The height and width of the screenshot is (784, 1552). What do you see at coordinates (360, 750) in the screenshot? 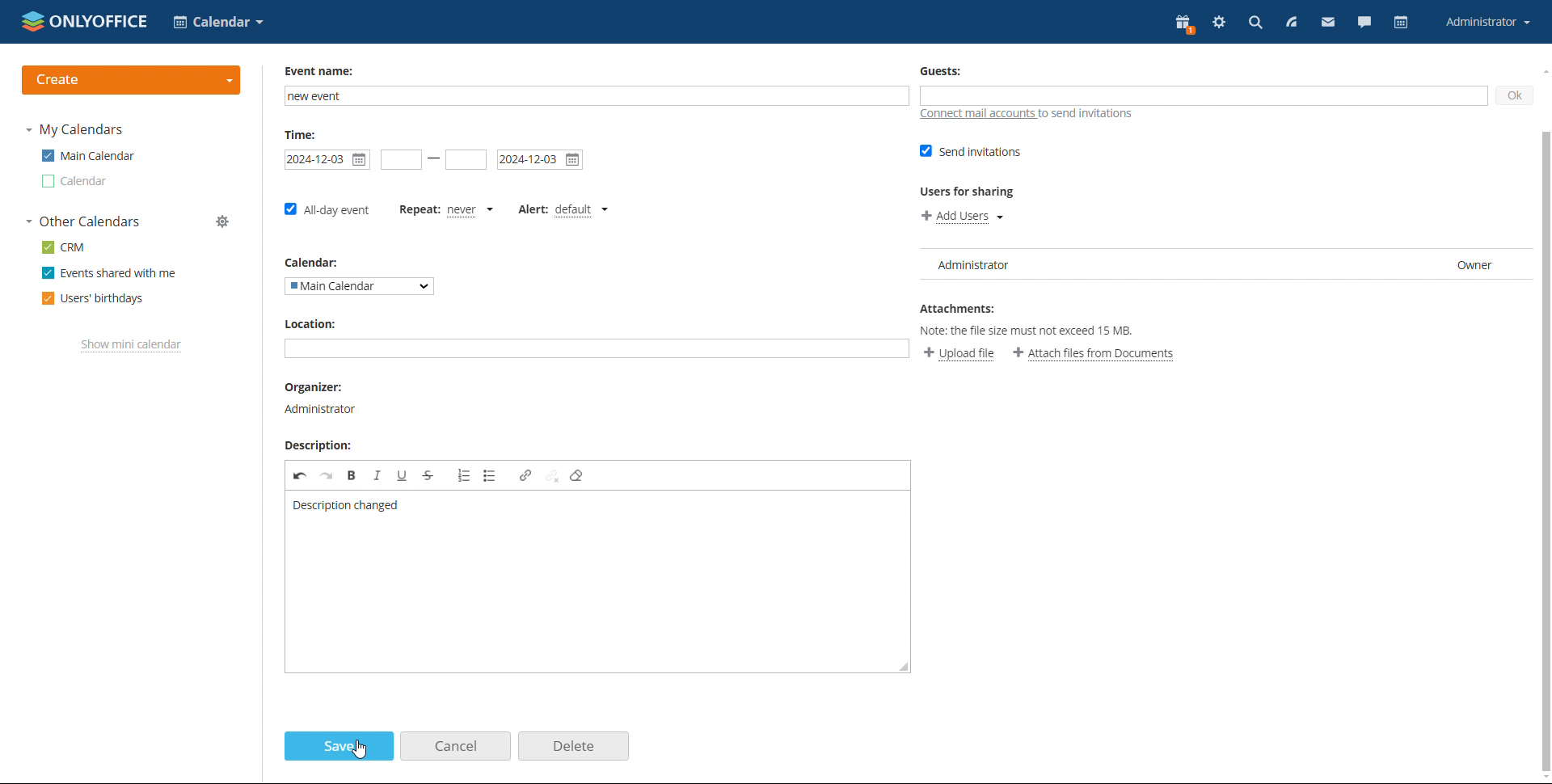
I see `cursor` at bounding box center [360, 750].